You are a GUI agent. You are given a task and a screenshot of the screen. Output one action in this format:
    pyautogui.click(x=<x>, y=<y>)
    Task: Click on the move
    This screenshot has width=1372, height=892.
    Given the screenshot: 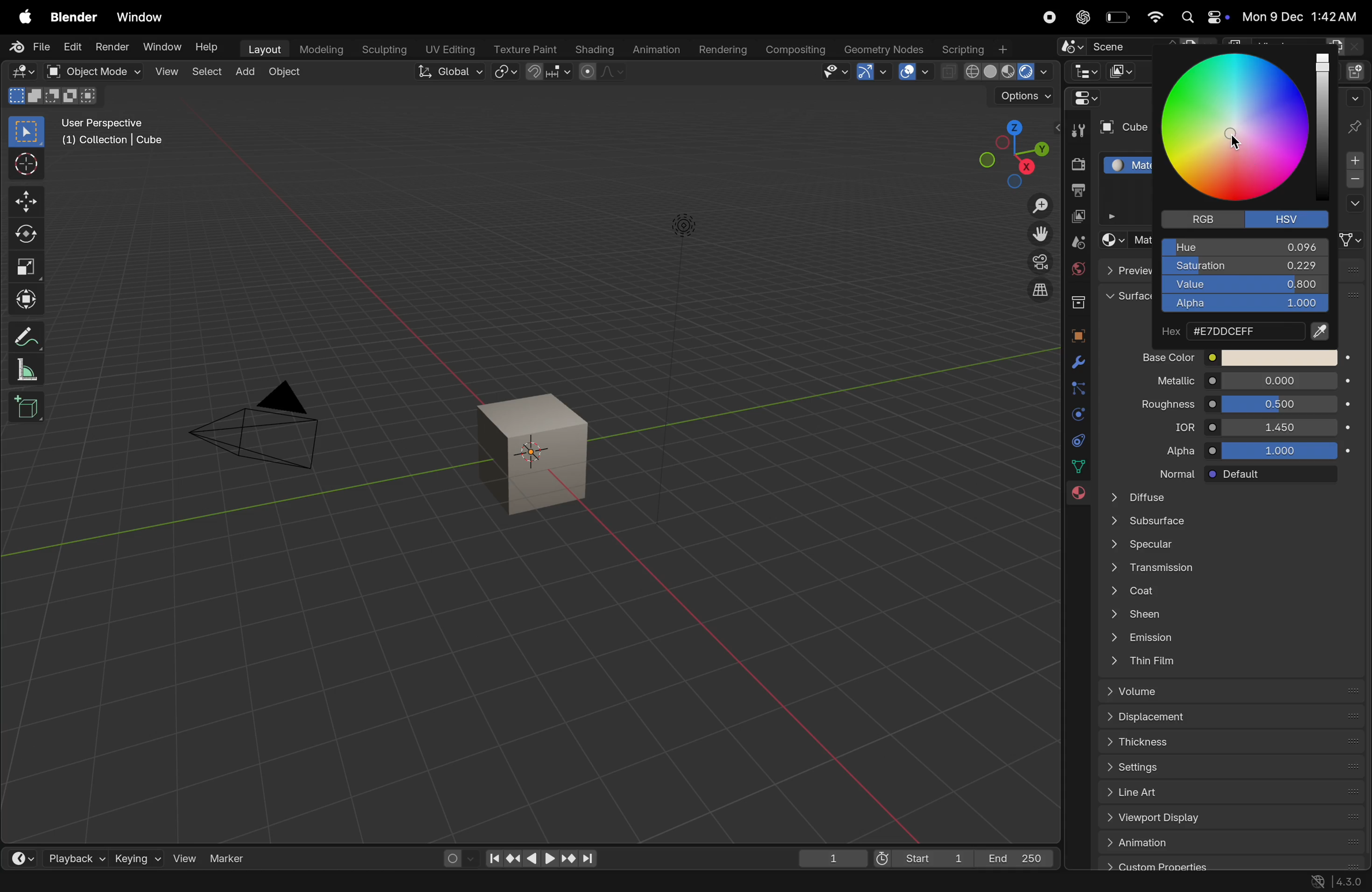 What is the action you would take?
    pyautogui.click(x=25, y=201)
    